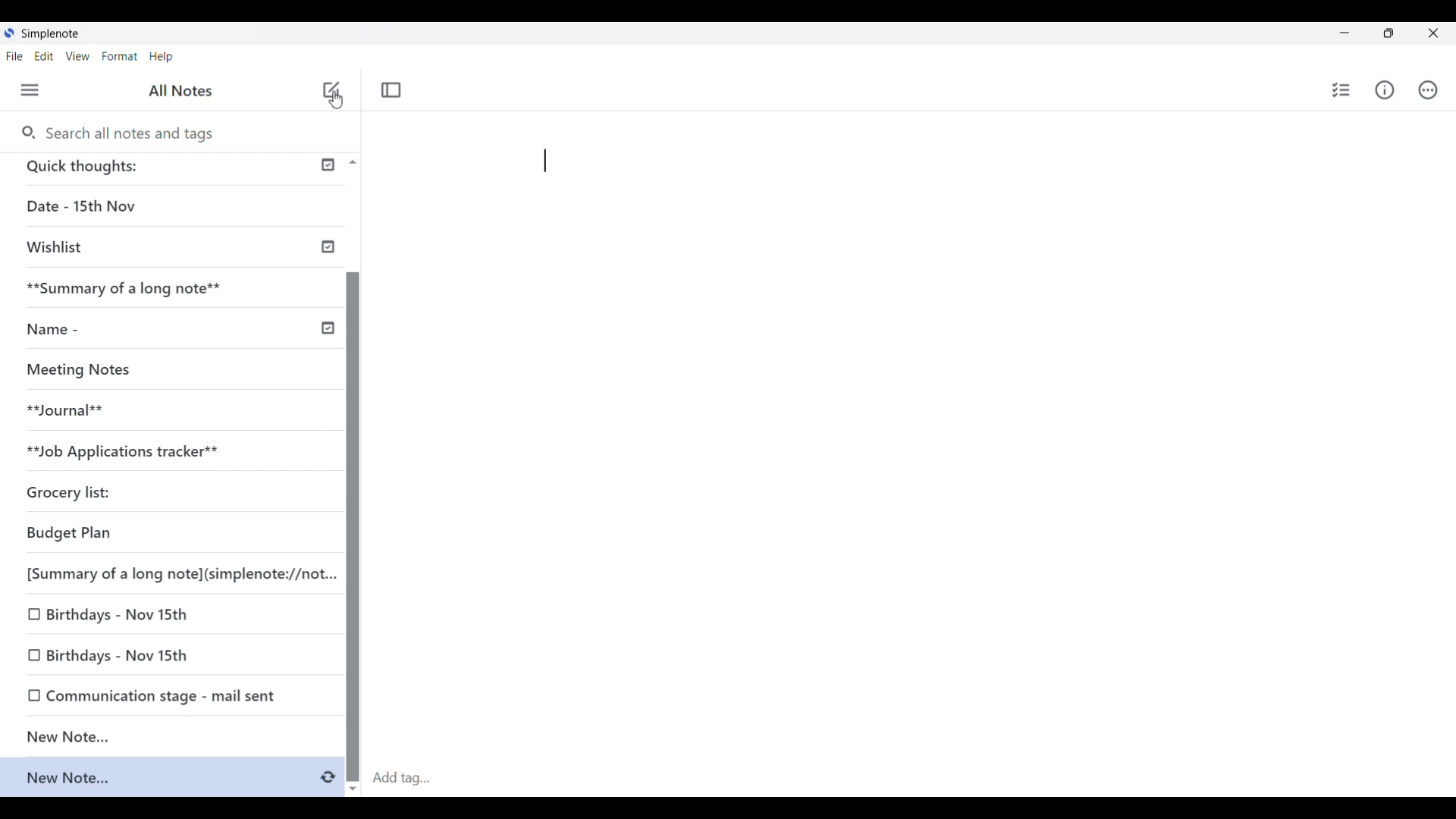 The height and width of the screenshot is (819, 1456). What do you see at coordinates (180, 573) in the screenshot?
I see `[Summary of a long note](simplenote://not...` at bounding box center [180, 573].